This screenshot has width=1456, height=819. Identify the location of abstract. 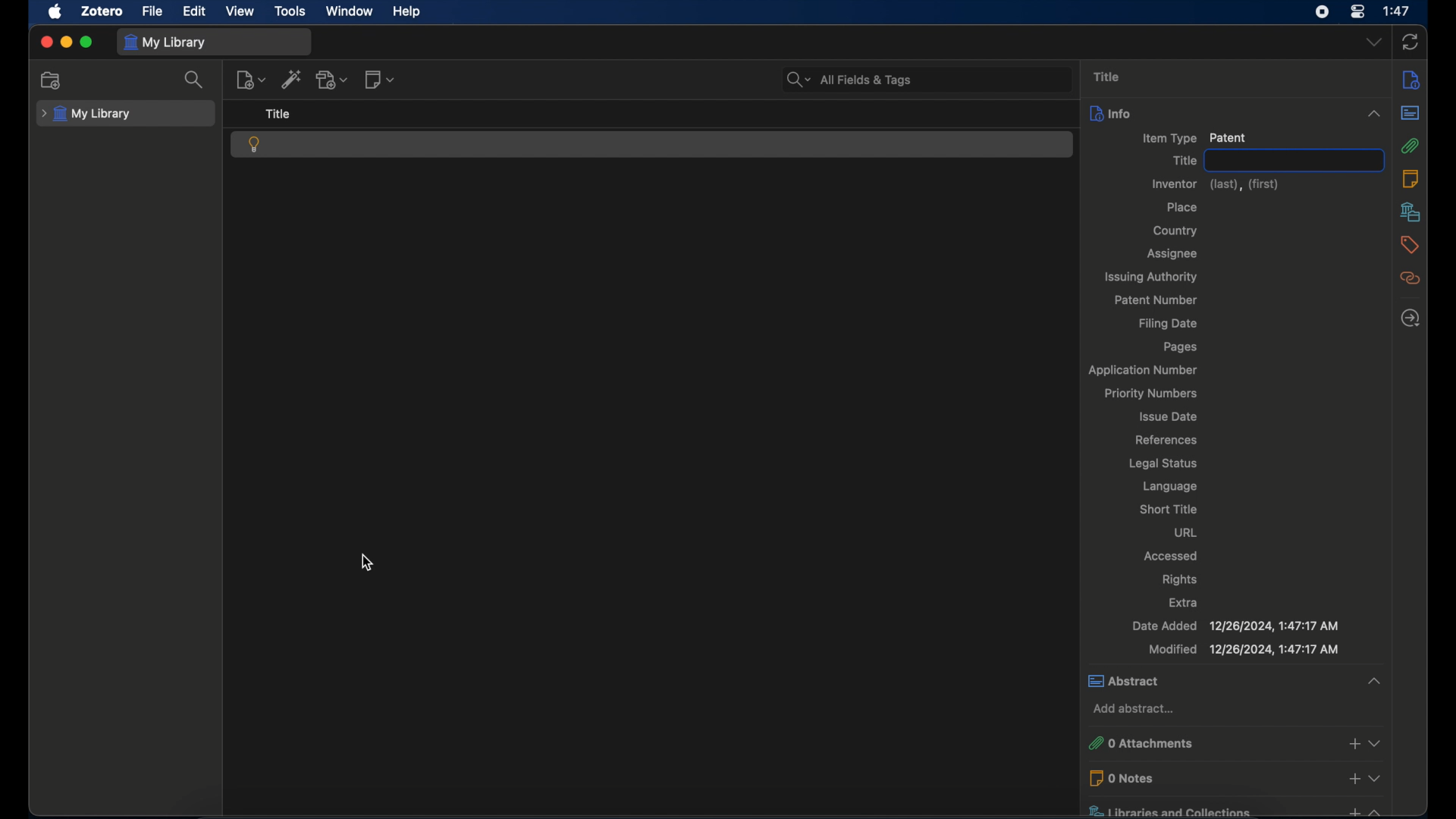
(1411, 114).